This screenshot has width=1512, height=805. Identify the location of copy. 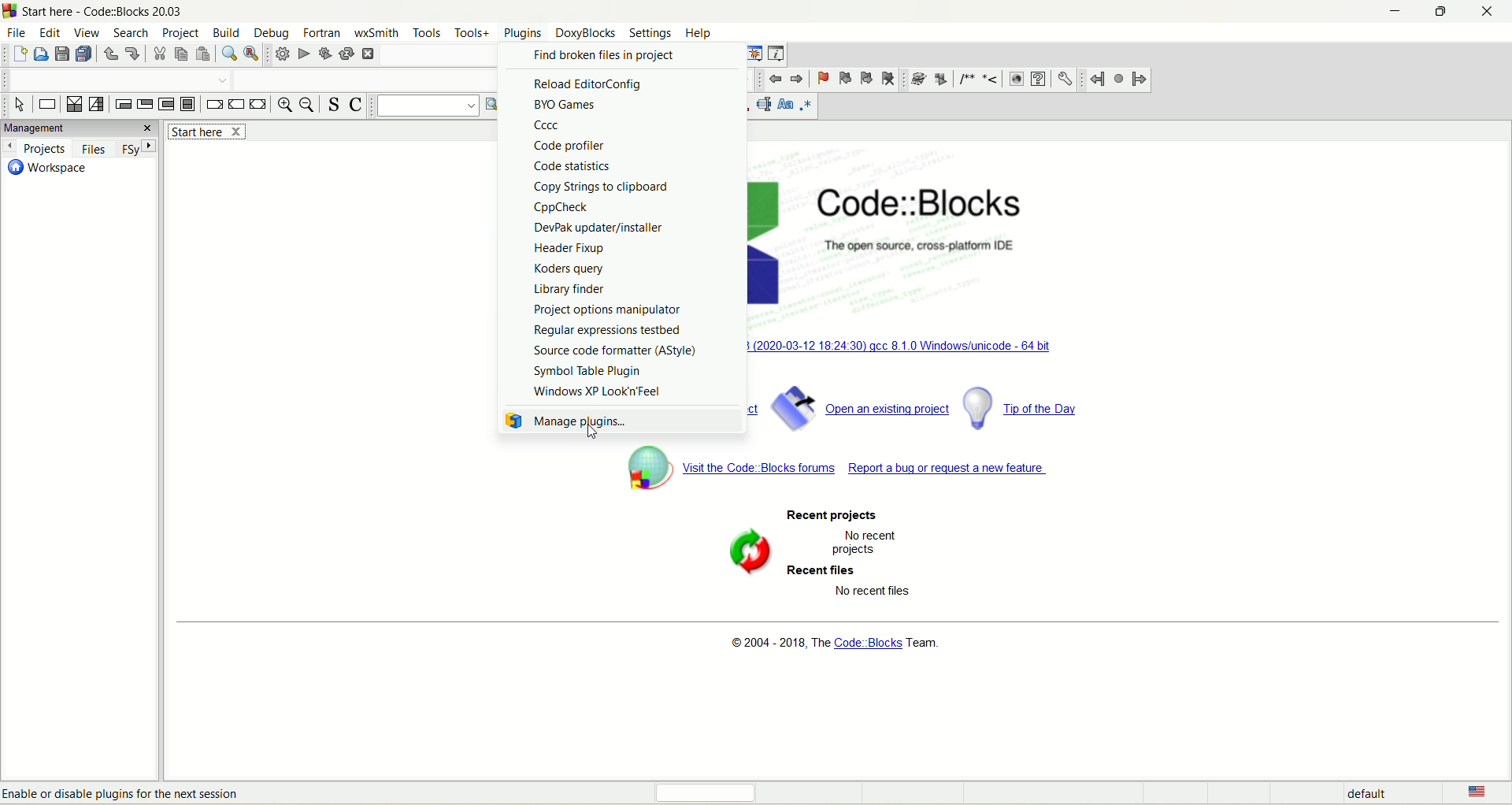
(180, 54).